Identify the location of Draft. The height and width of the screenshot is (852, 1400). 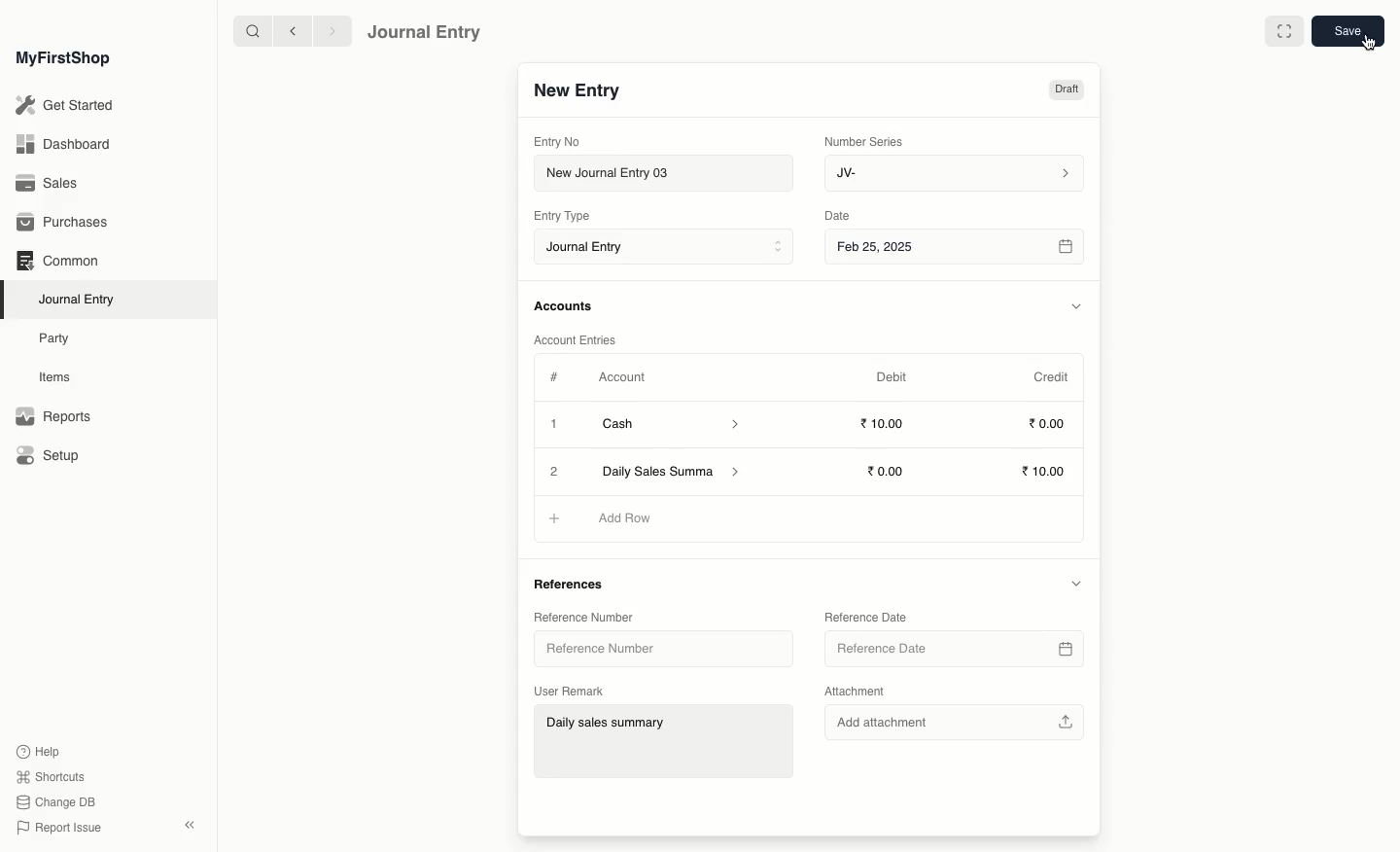
(1066, 91).